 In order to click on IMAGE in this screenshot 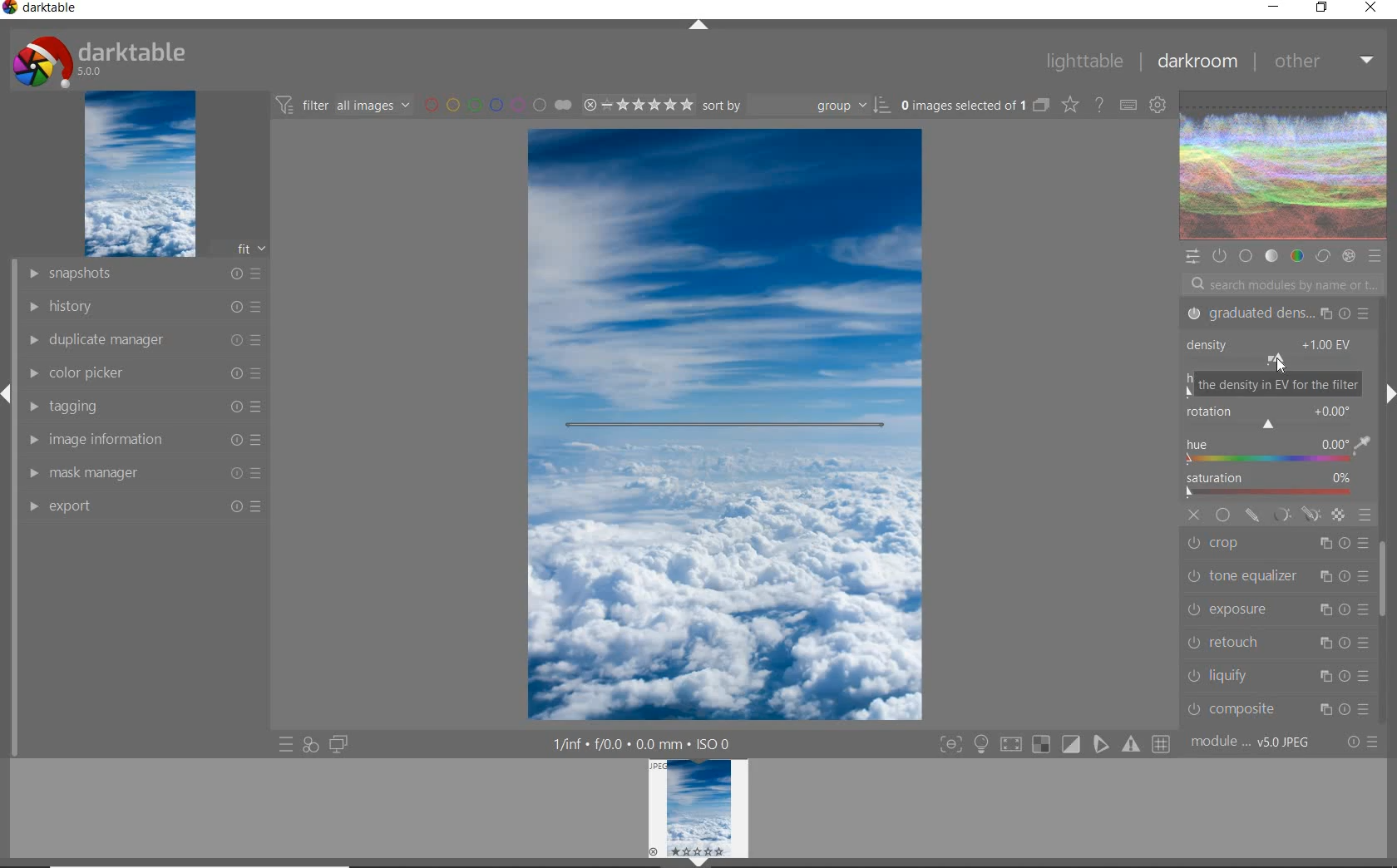, I will do `click(138, 175)`.